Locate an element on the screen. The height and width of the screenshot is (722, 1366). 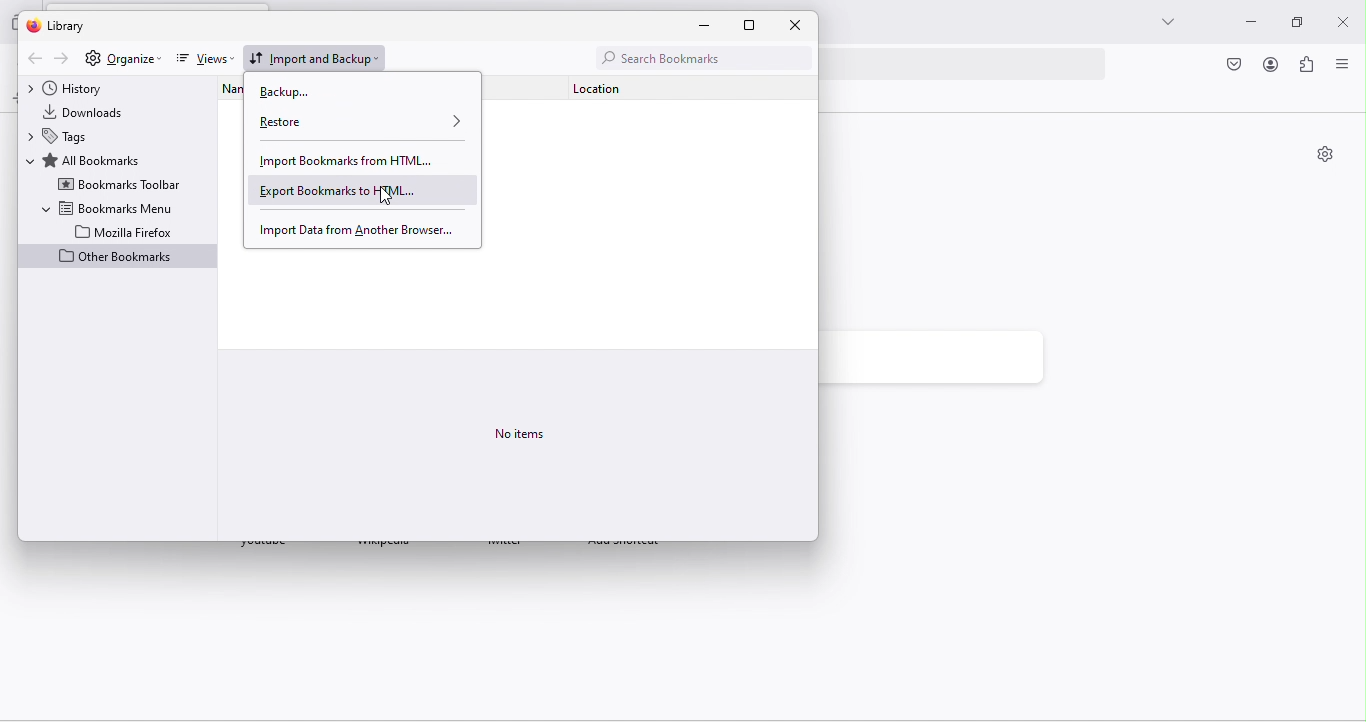
organize is located at coordinates (134, 58).